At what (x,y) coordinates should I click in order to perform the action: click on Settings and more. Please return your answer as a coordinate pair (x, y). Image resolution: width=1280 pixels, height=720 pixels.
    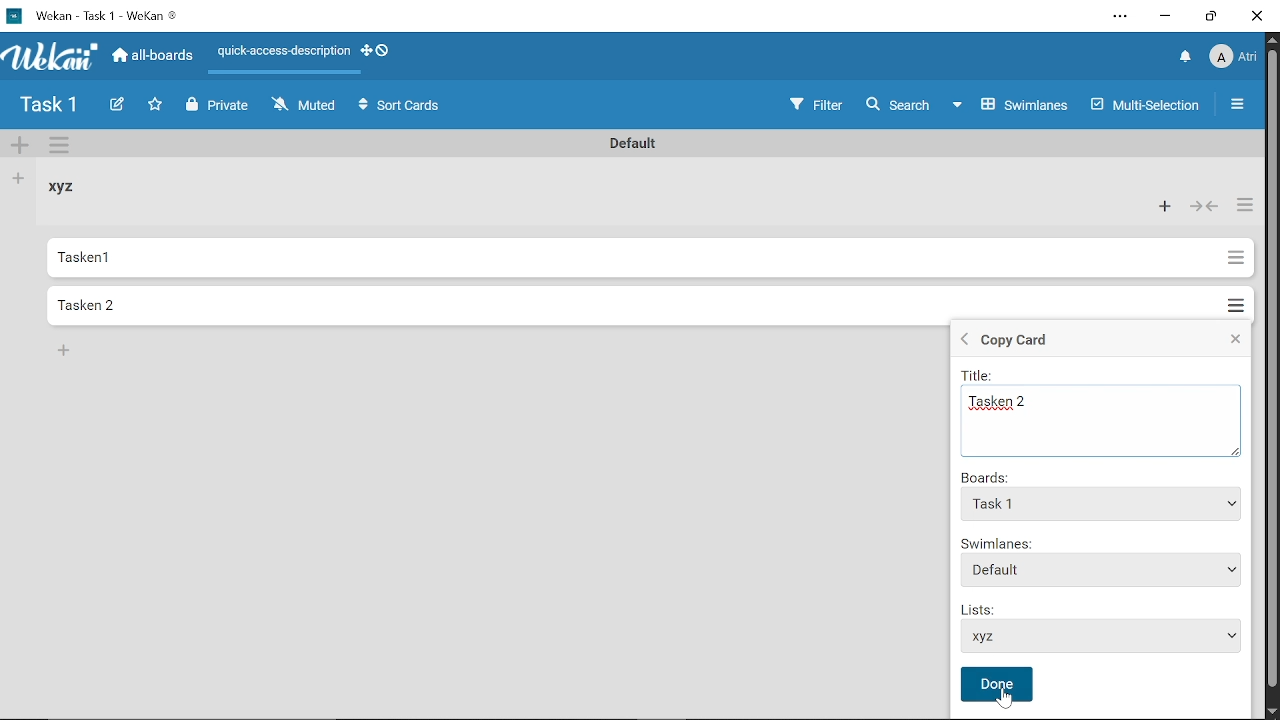
    Looking at the image, I should click on (1116, 17).